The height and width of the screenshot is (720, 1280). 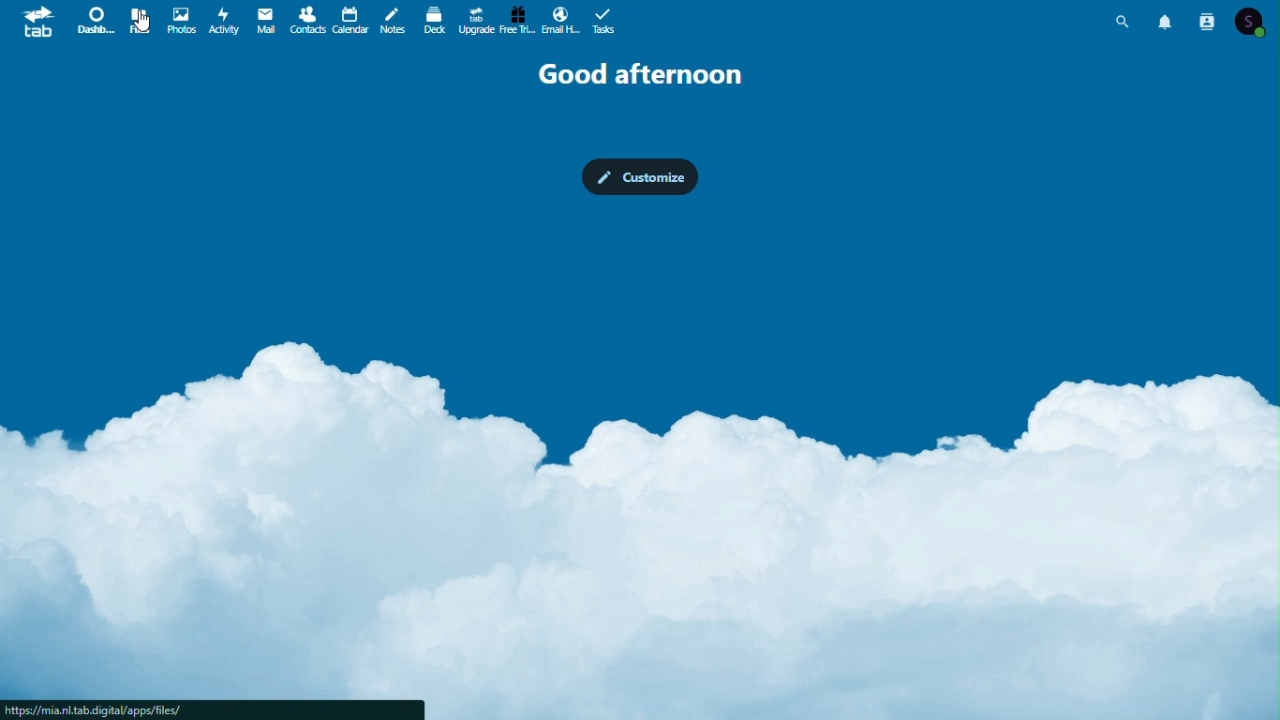 I want to click on tab, so click(x=33, y=22).